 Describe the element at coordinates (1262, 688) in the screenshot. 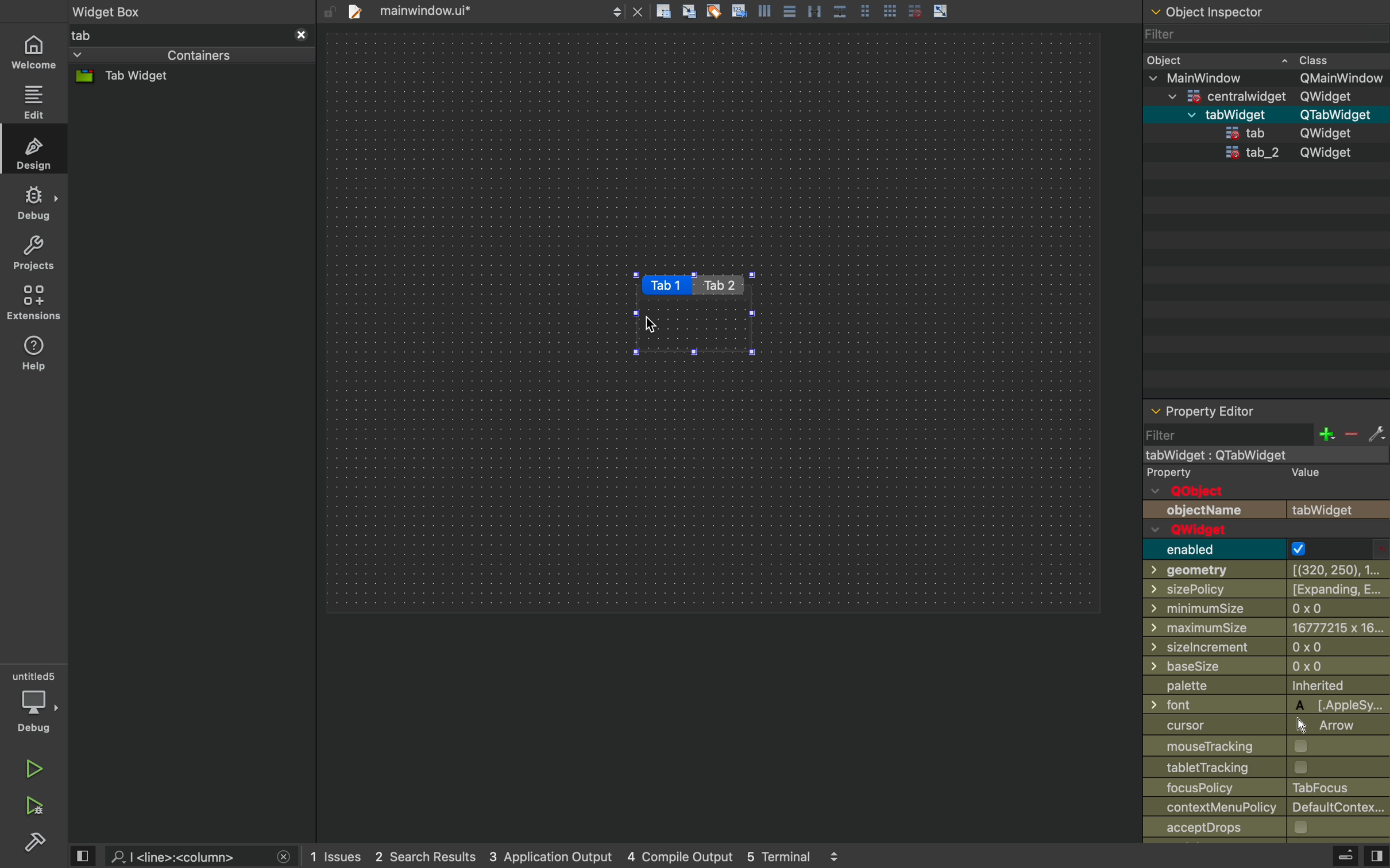

I see `palette` at that location.